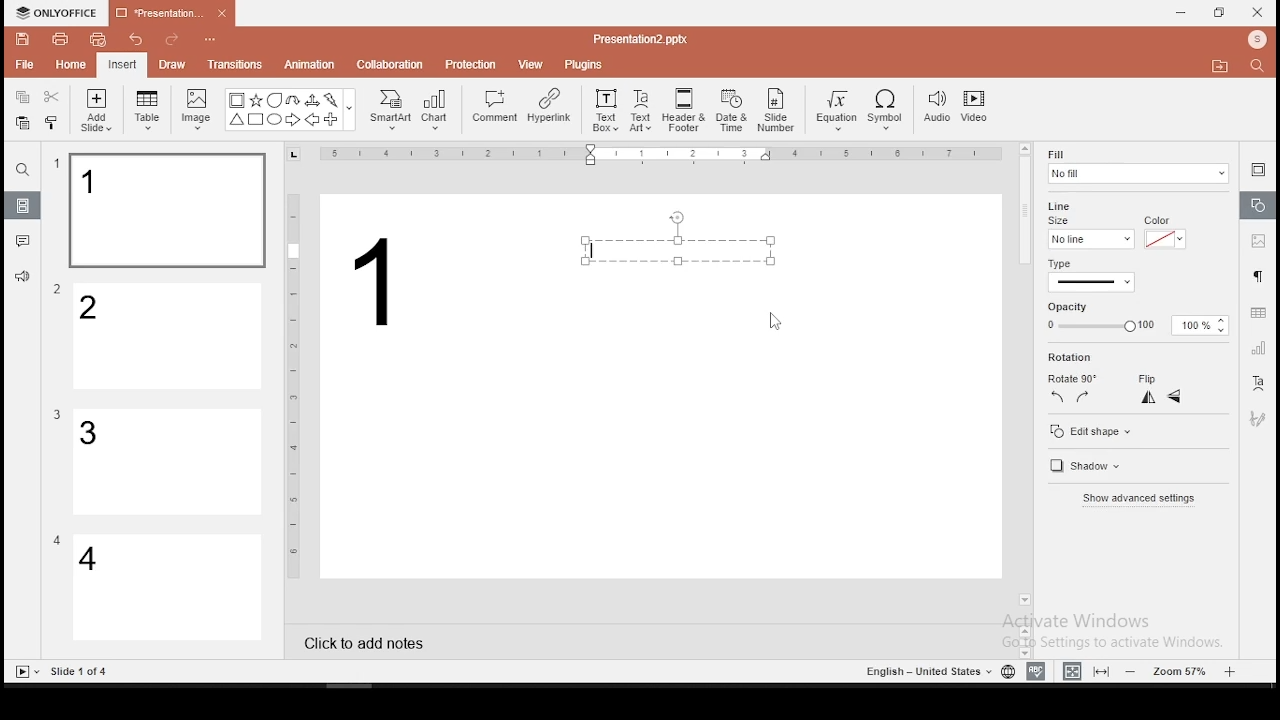 The height and width of the screenshot is (720, 1280). Describe the element at coordinates (22, 97) in the screenshot. I see `copy` at that location.